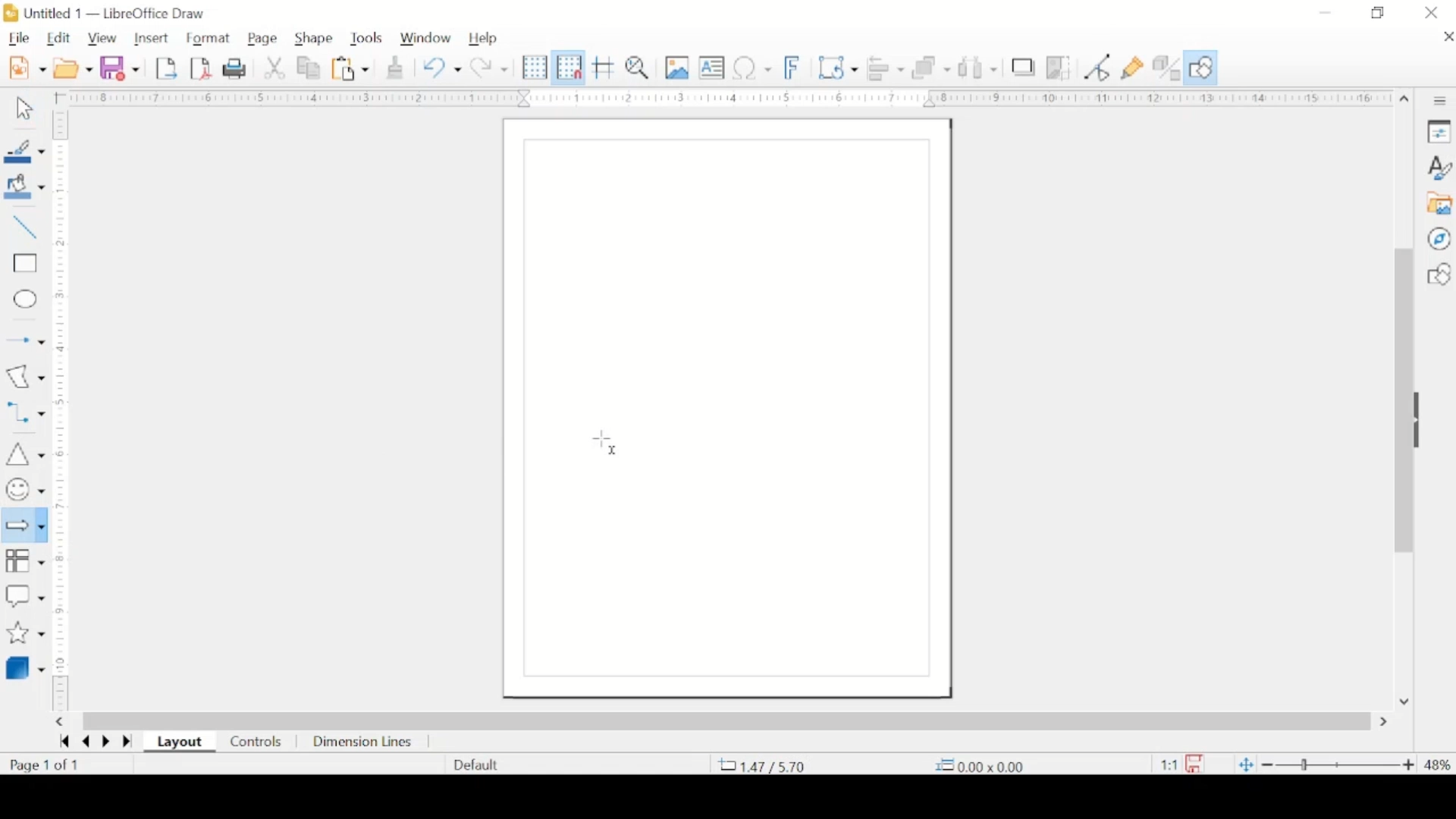 This screenshot has height=819, width=1456. What do you see at coordinates (350, 67) in the screenshot?
I see `paste` at bounding box center [350, 67].